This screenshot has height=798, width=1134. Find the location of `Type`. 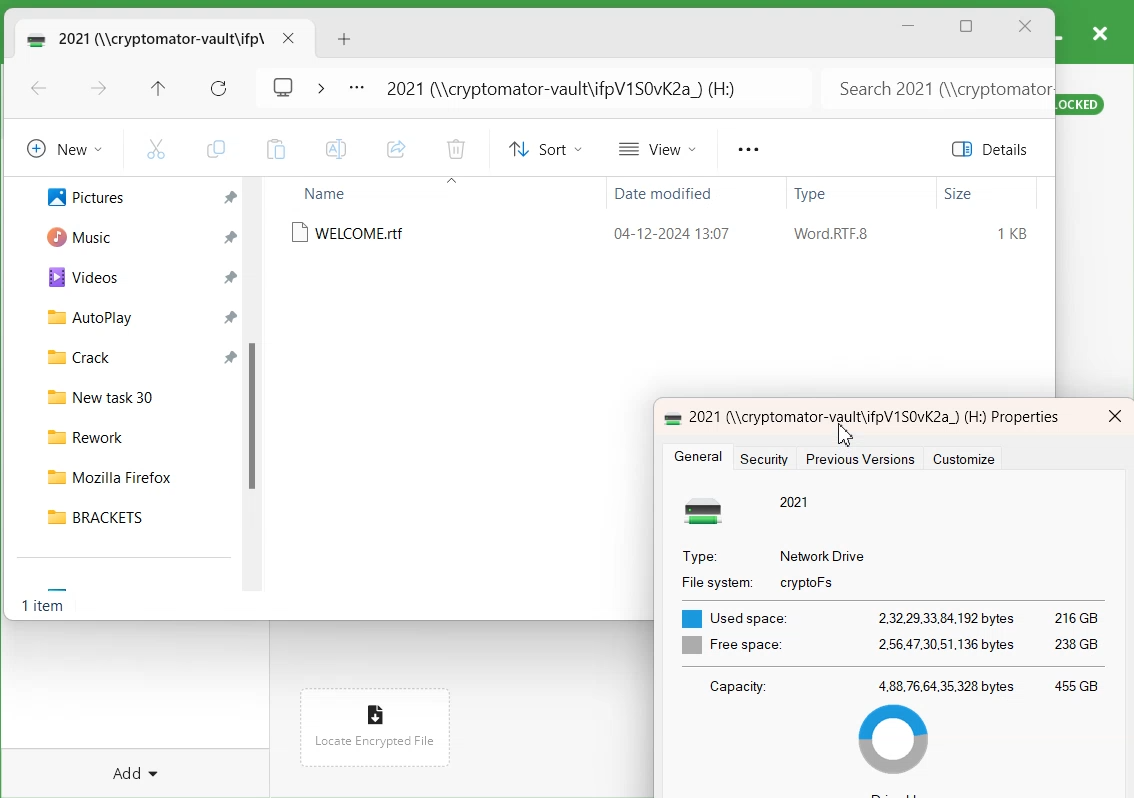

Type is located at coordinates (813, 196).